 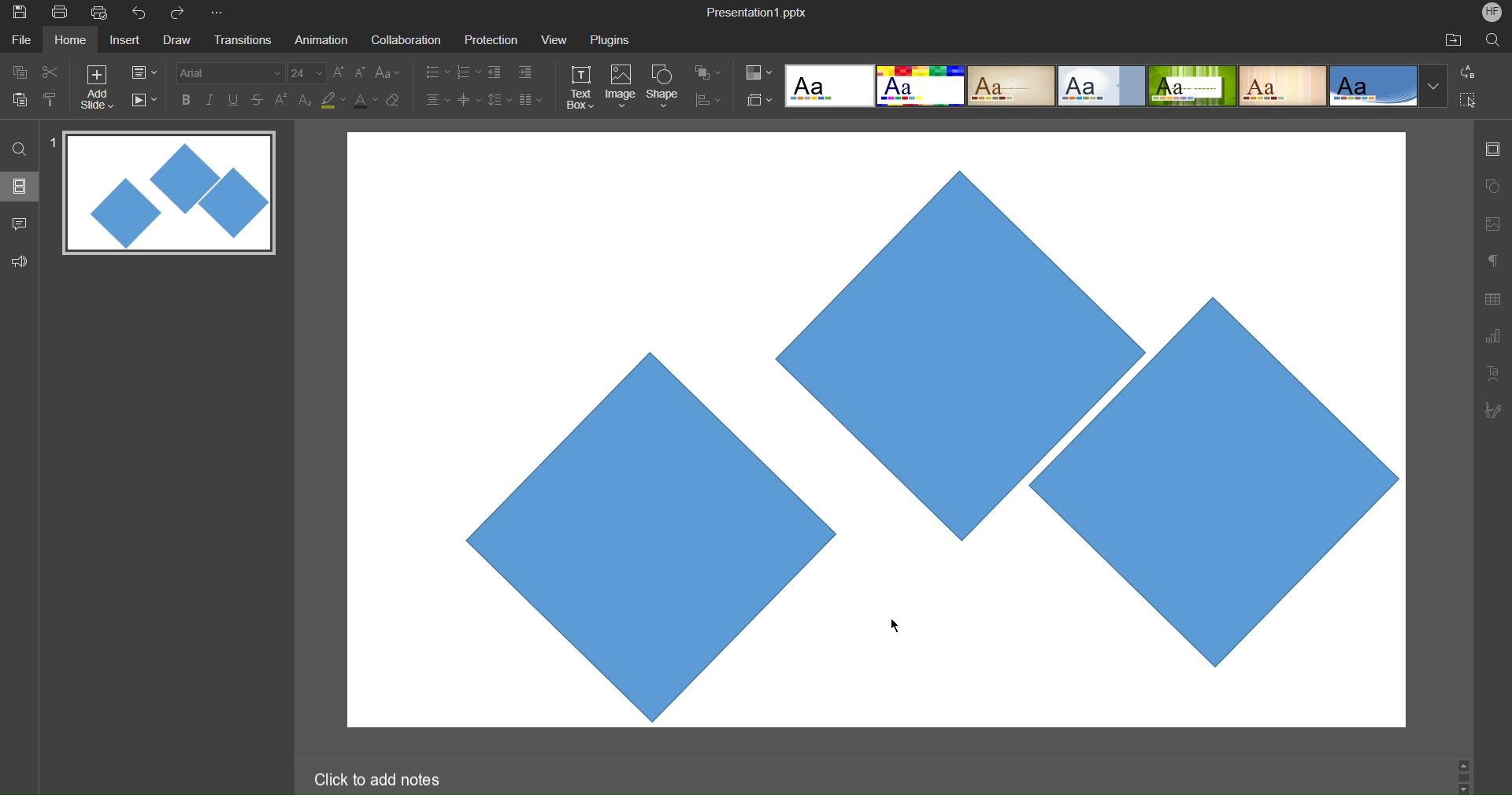 What do you see at coordinates (1472, 71) in the screenshot?
I see `a to b` at bounding box center [1472, 71].